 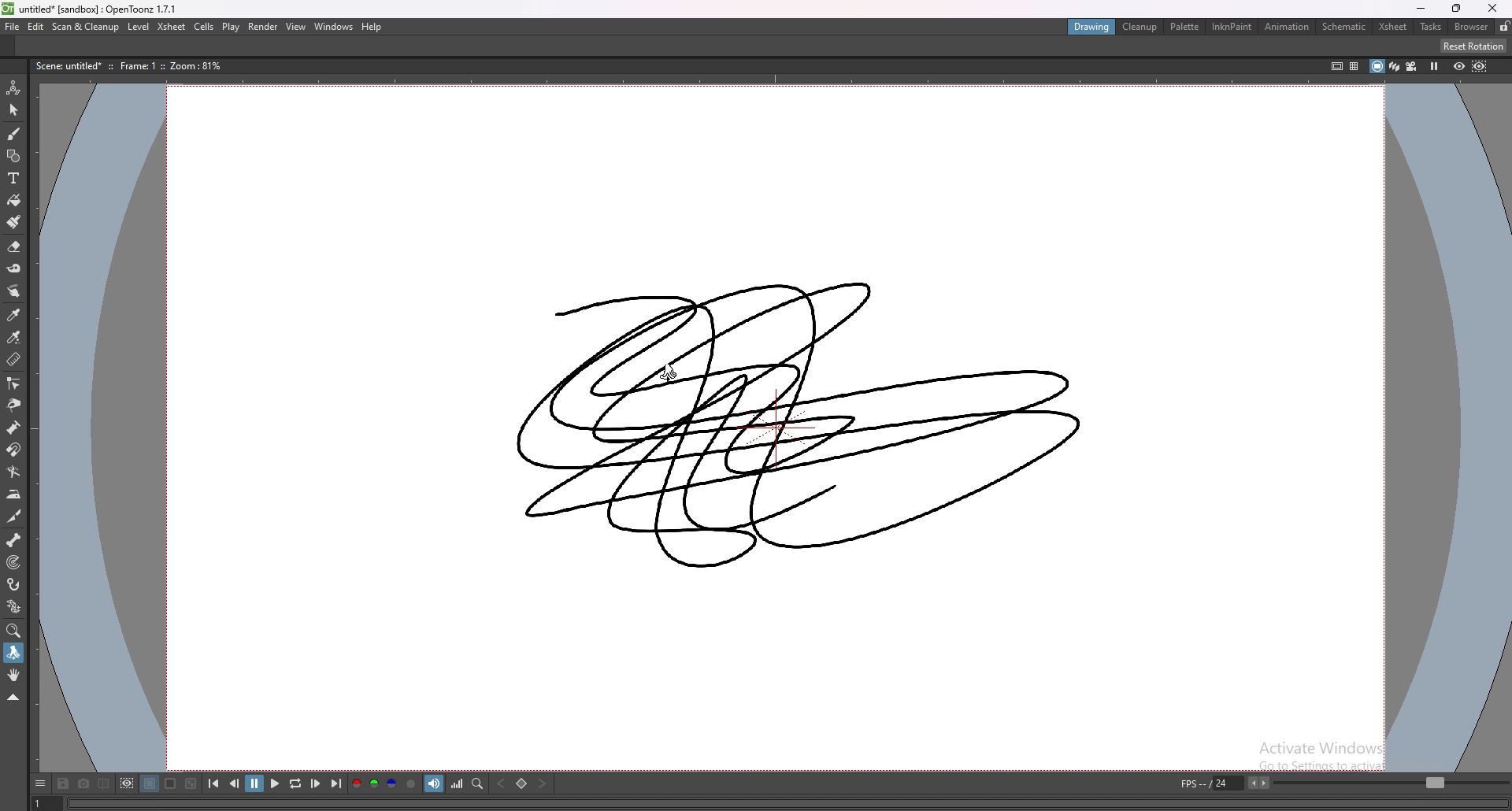 What do you see at coordinates (13, 675) in the screenshot?
I see `hand` at bounding box center [13, 675].